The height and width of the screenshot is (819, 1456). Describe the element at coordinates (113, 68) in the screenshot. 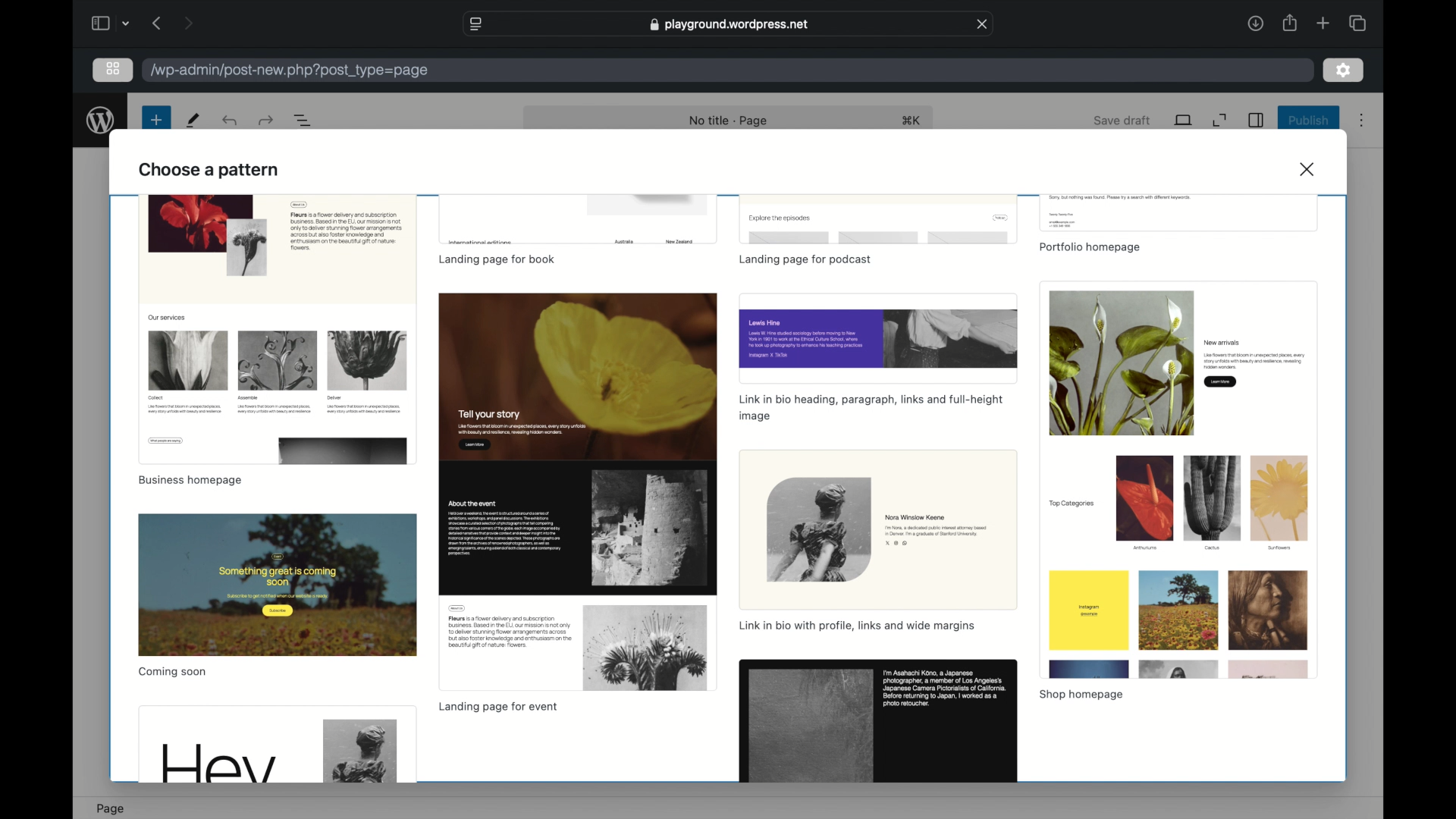

I see `grid` at that location.